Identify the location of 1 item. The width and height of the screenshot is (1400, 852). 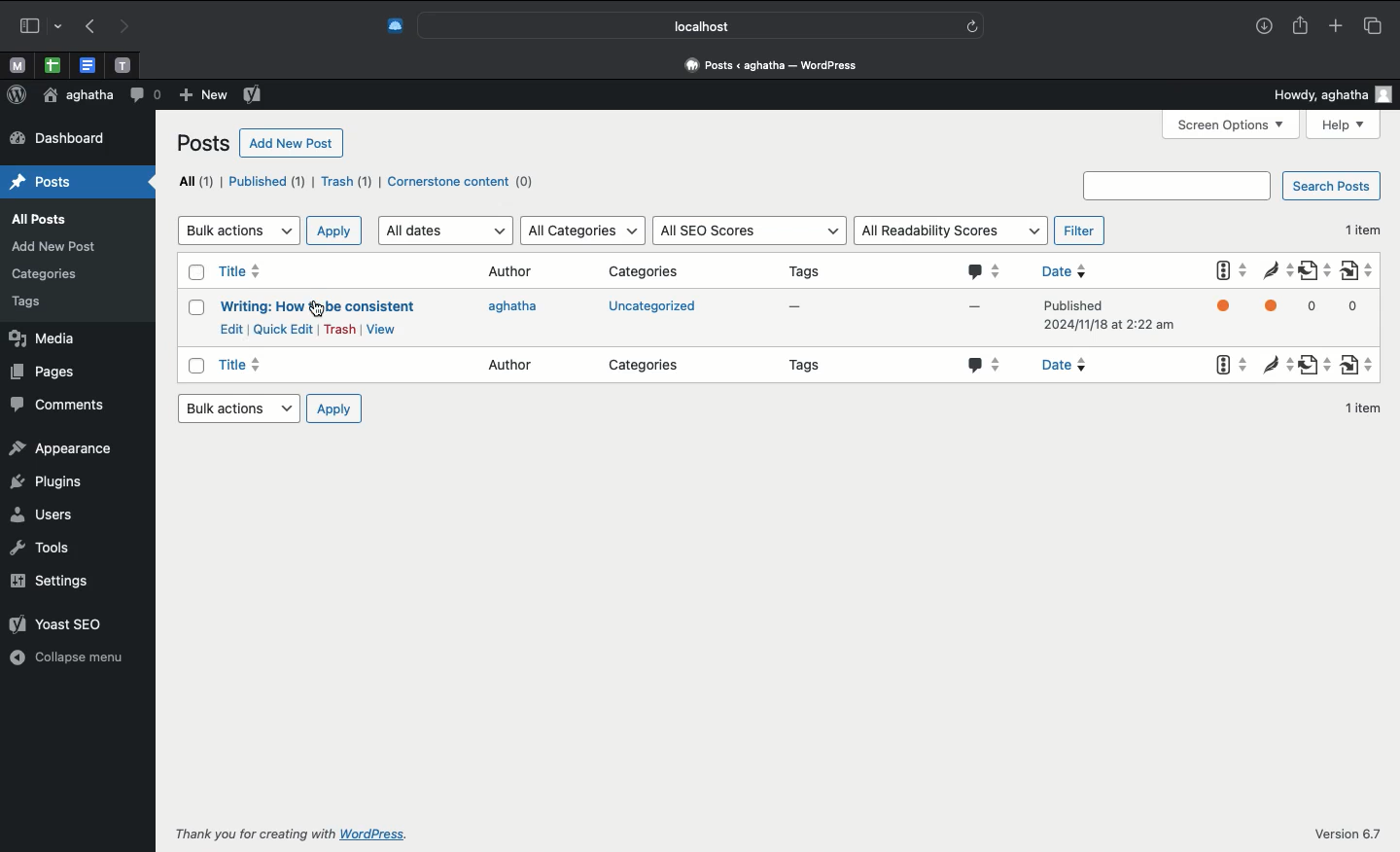
(1364, 408).